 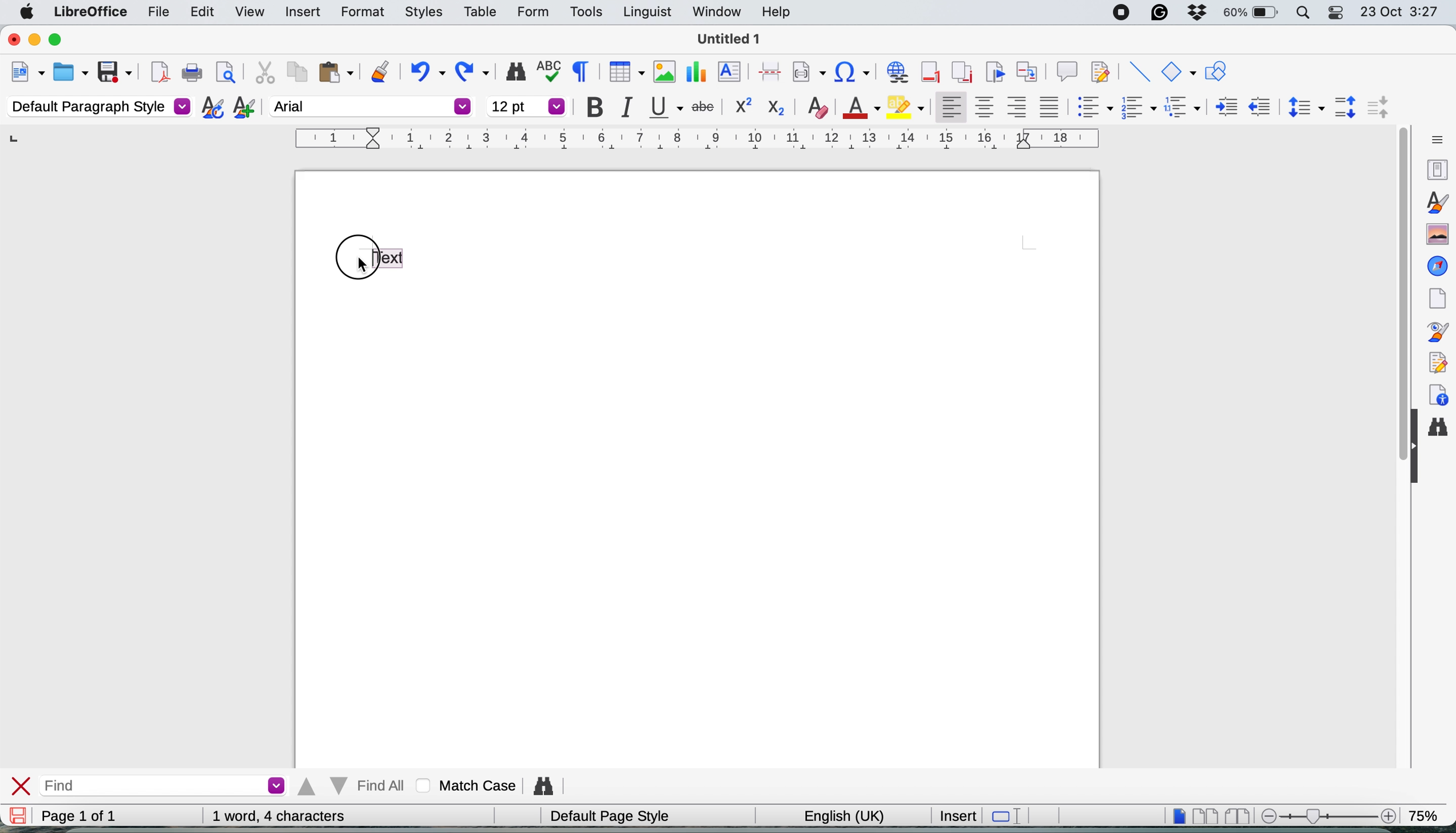 What do you see at coordinates (1050, 106) in the screenshot?
I see `justified` at bounding box center [1050, 106].